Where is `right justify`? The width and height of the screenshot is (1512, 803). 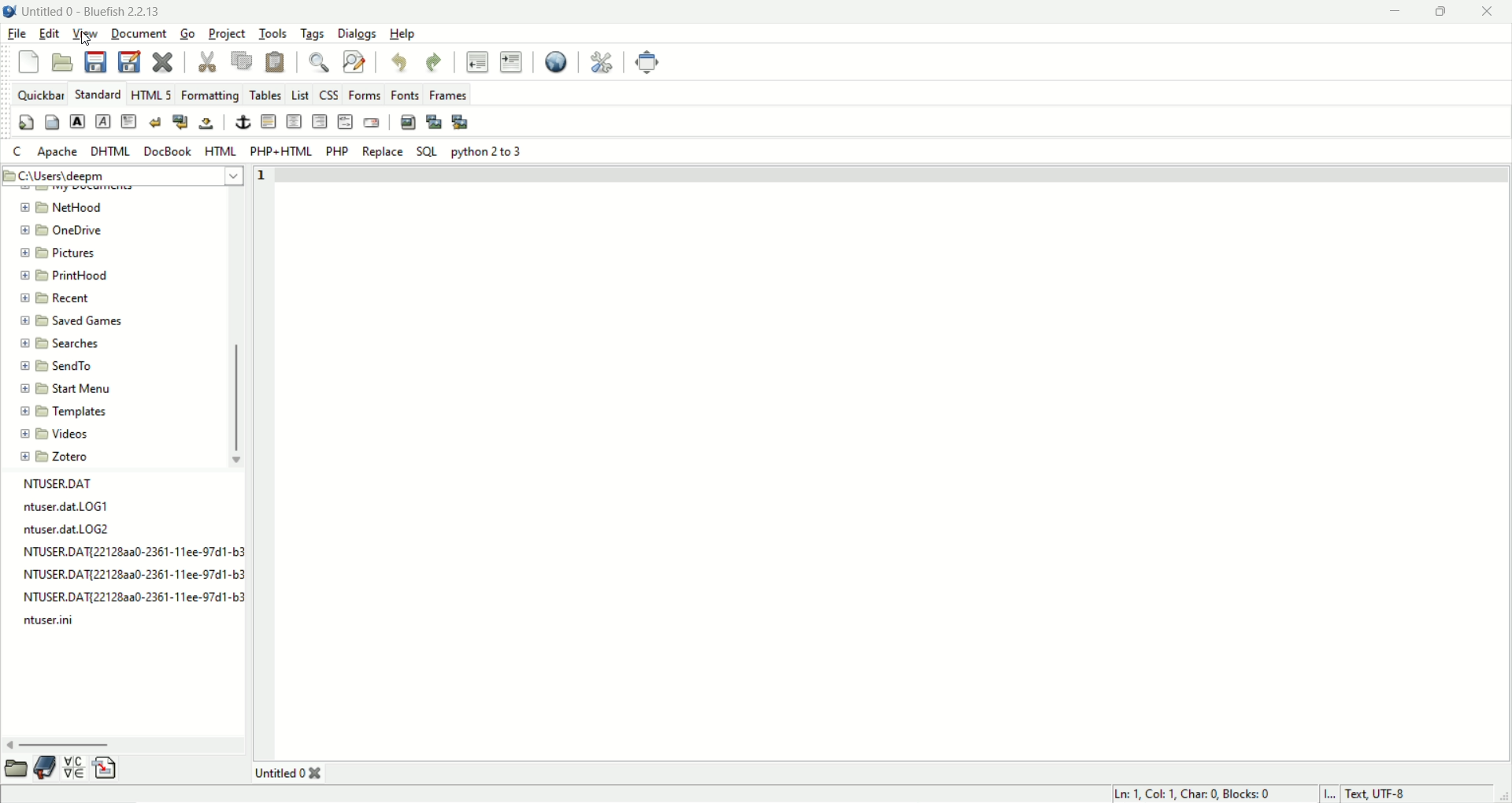
right justify is located at coordinates (319, 121).